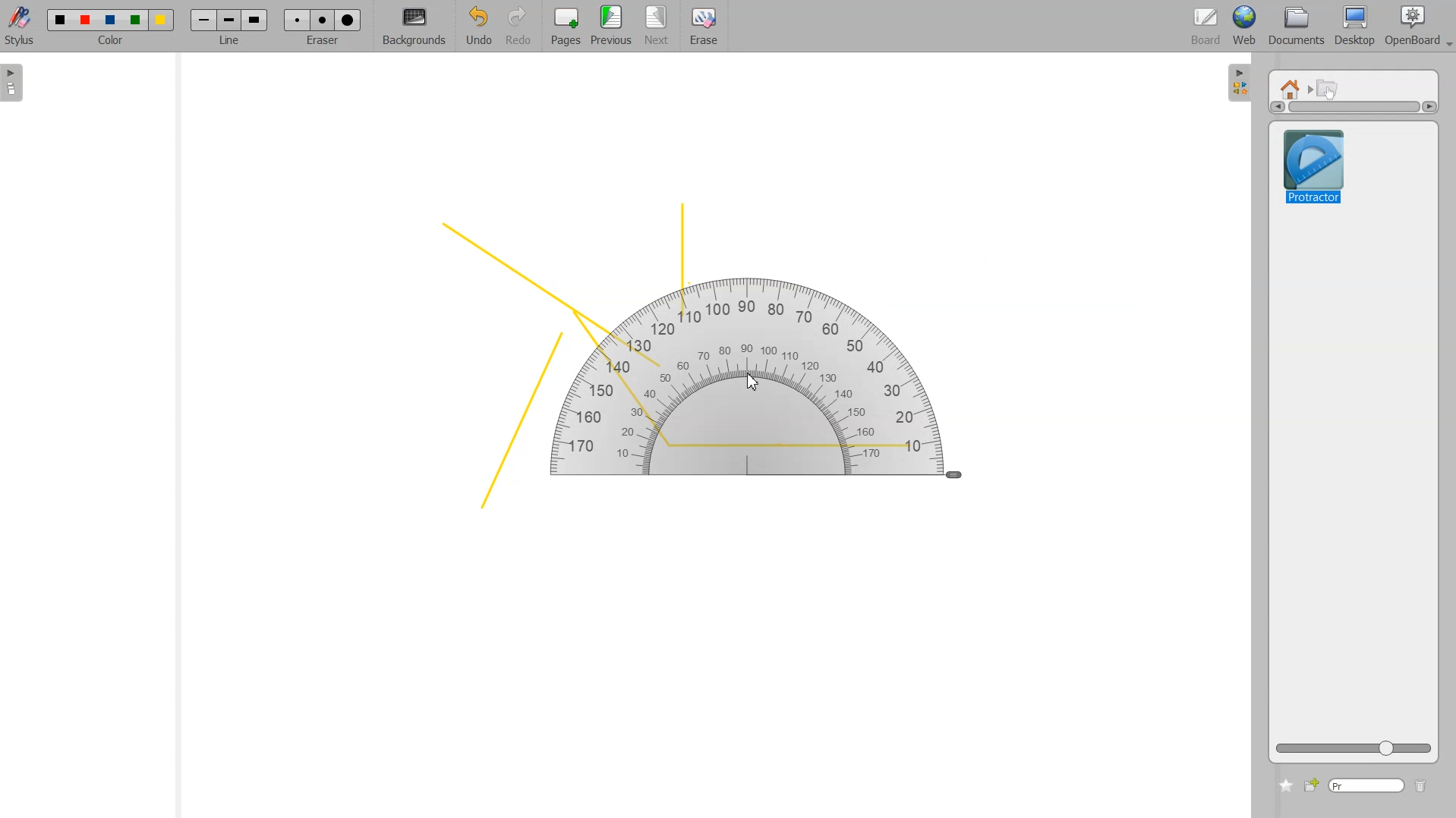 The width and height of the screenshot is (1456, 818). Describe the element at coordinates (1294, 27) in the screenshot. I see `Documents` at that location.